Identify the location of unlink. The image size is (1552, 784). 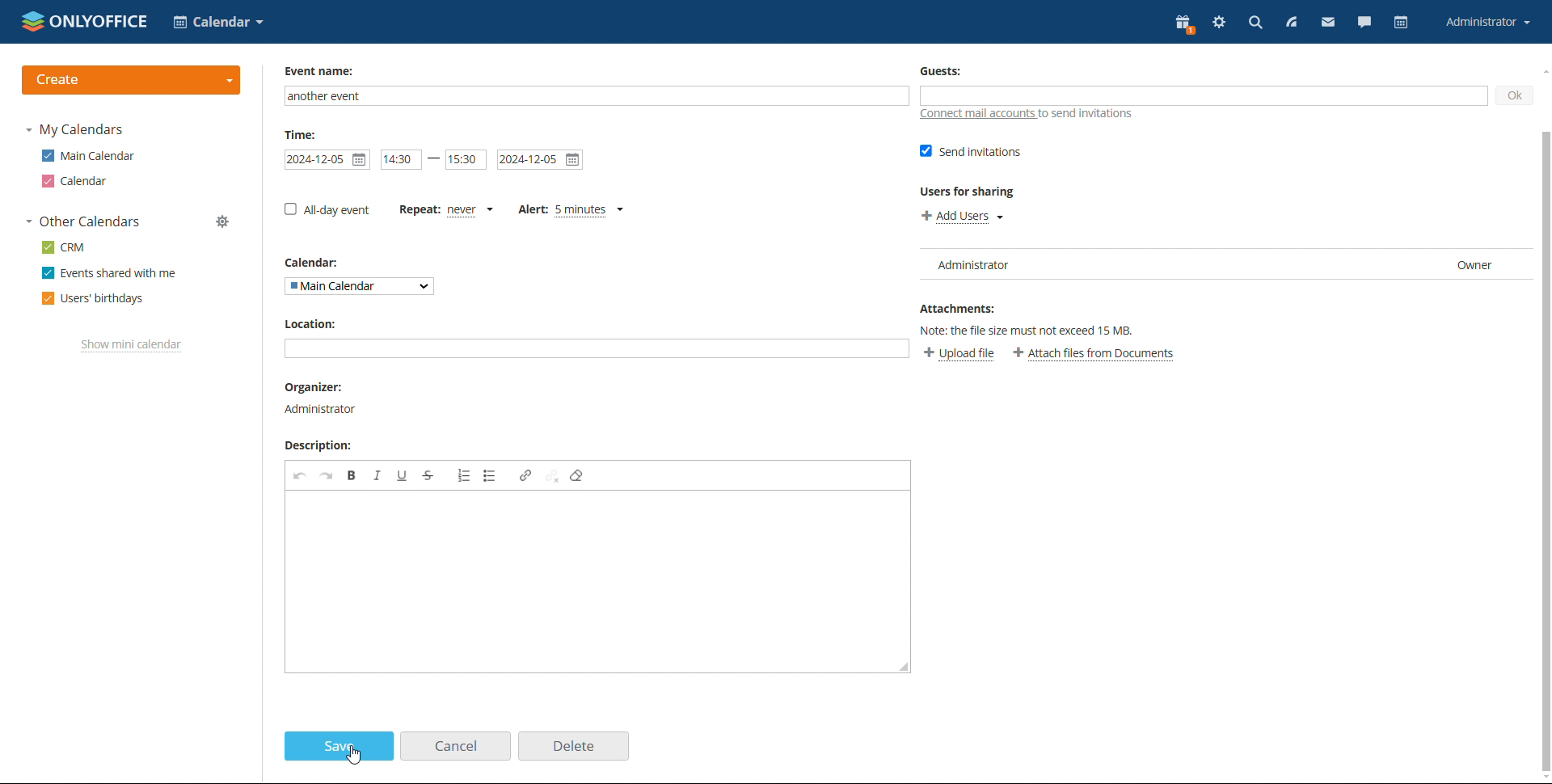
(553, 476).